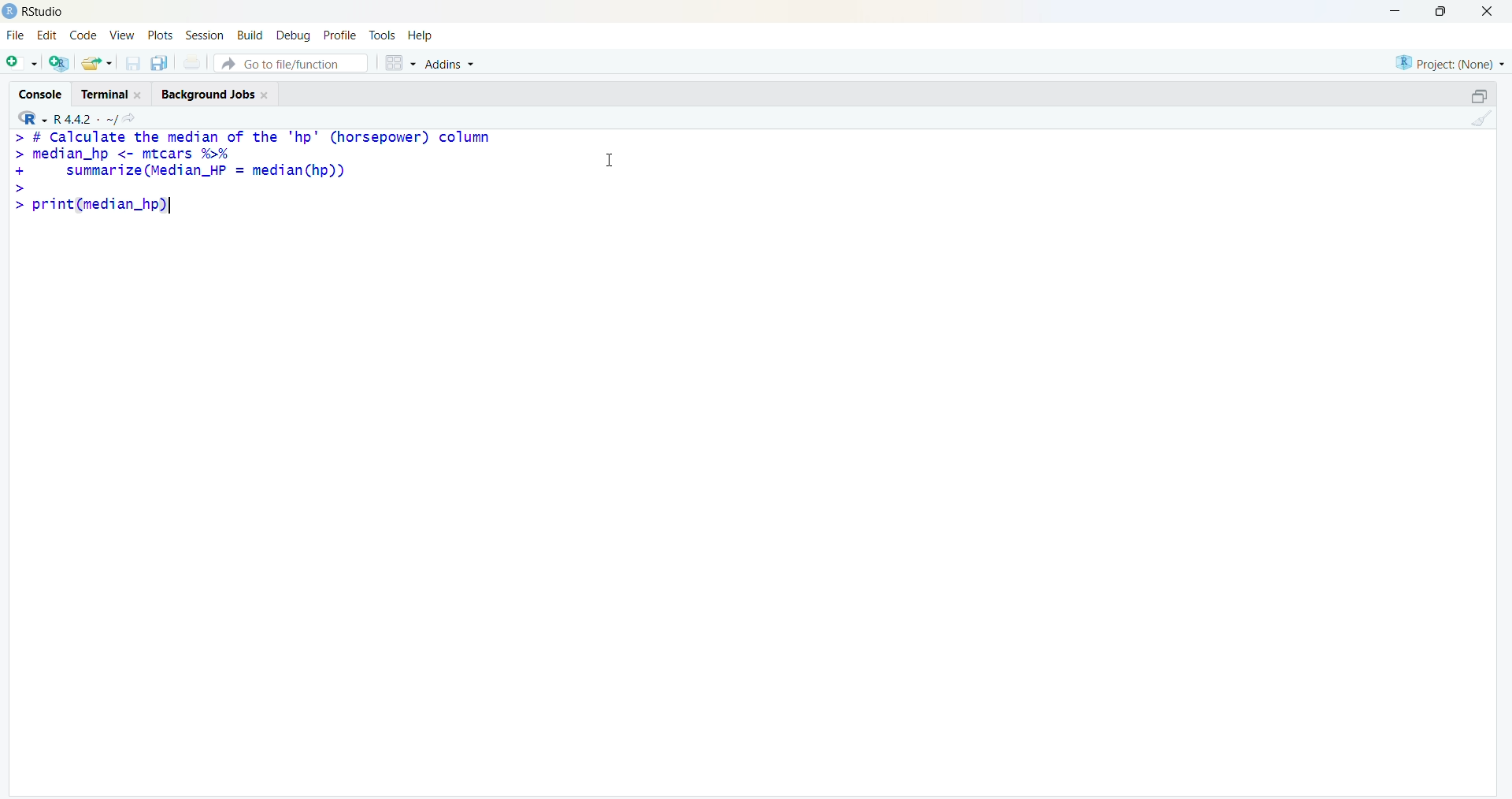  Describe the element at coordinates (1395, 10) in the screenshot. I see `minimise` at that location.